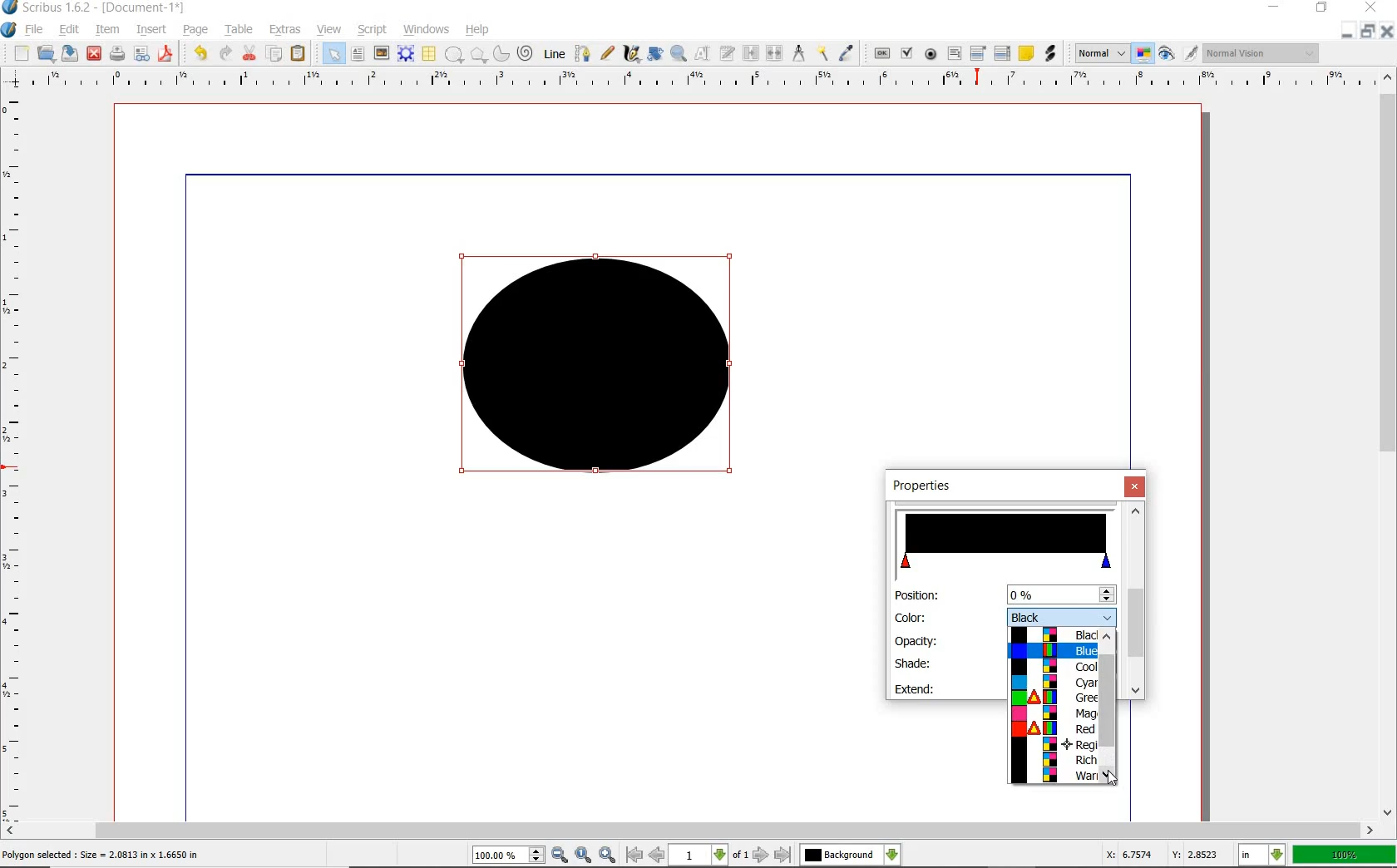 This screenshot has height=868, width=1397. What do you see at coordinates (1346, 32) in the screenshot?
I see `MINIMIZE` at bounding box center [1346, 32].